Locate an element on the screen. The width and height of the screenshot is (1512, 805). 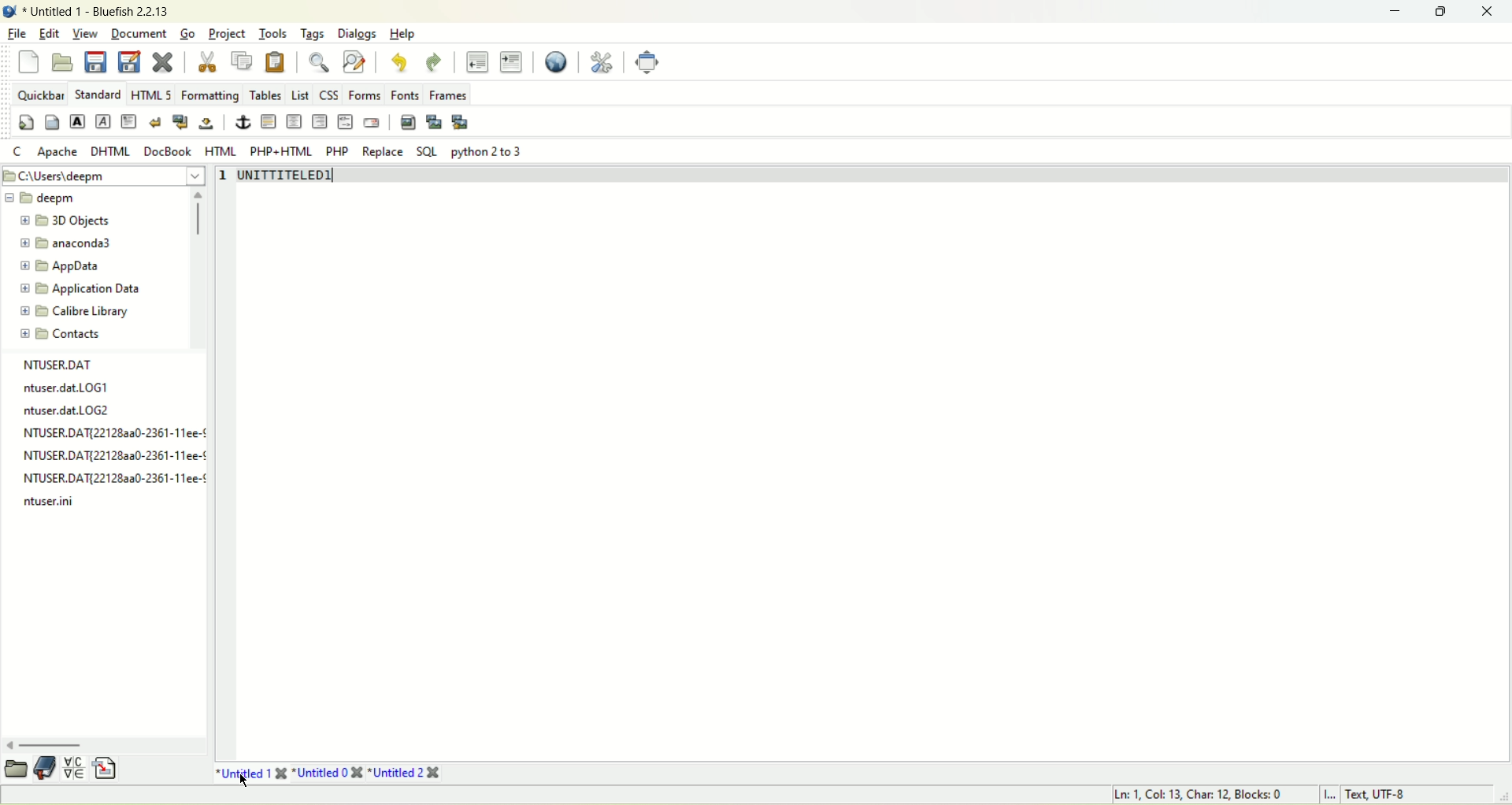
SOL is located at coordinates (428, 149).